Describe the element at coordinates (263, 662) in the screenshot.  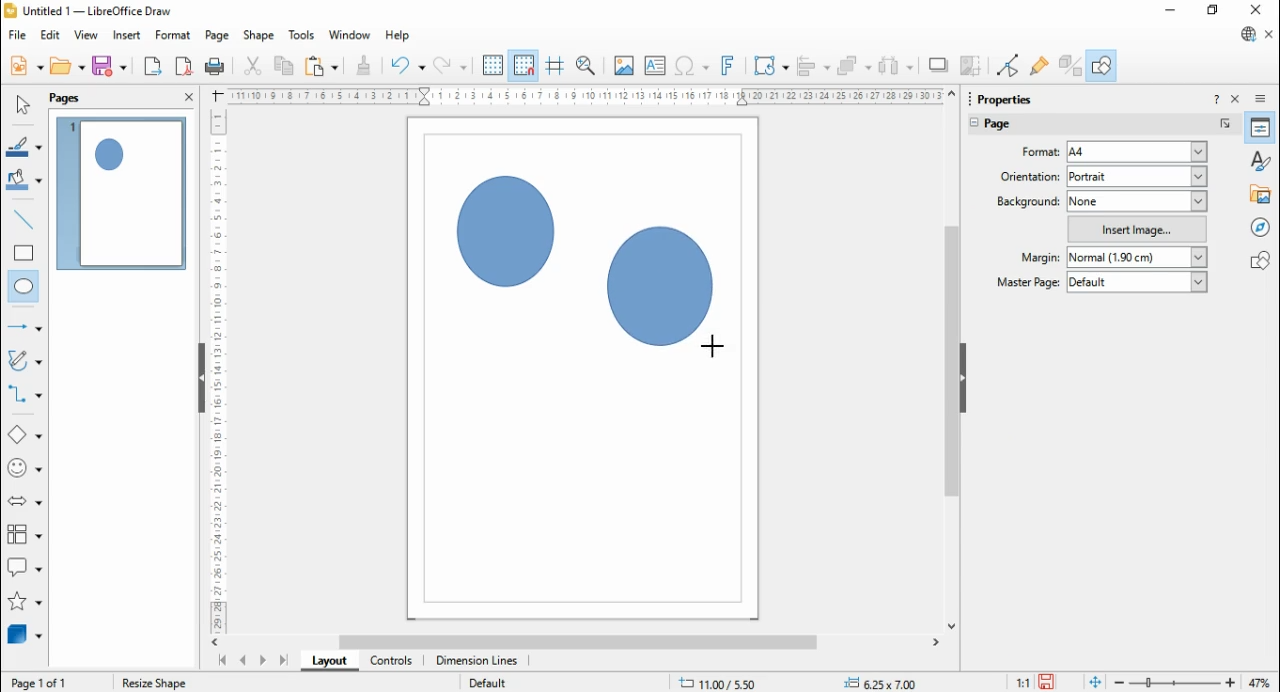
I see `next page` at that location.